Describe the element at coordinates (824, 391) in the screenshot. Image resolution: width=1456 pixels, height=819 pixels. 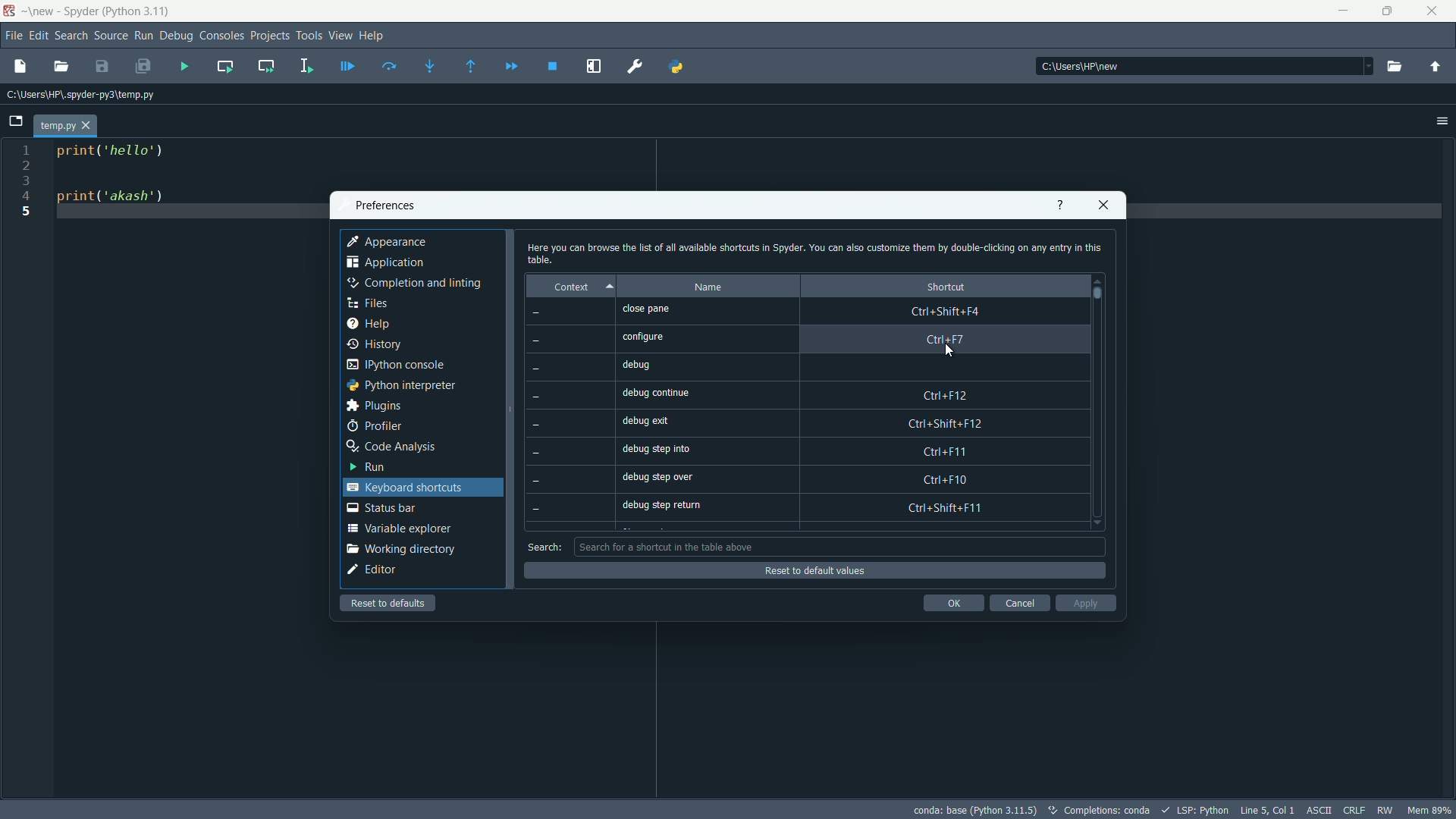
I see `debug continue Ctrl+F12` at that location.